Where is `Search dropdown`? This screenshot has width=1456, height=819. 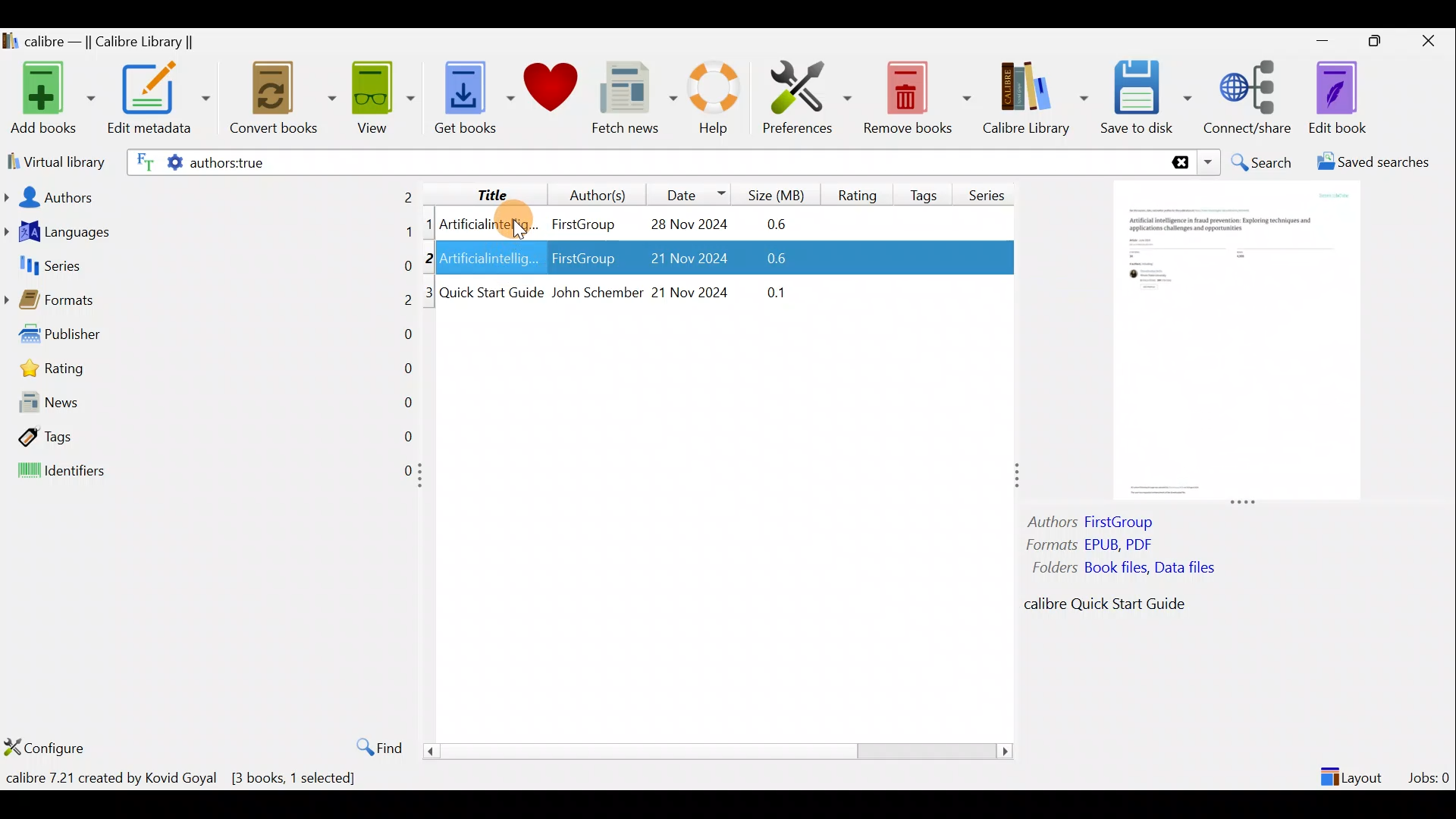
Search dropdown is located at coordinates (1210, 162).